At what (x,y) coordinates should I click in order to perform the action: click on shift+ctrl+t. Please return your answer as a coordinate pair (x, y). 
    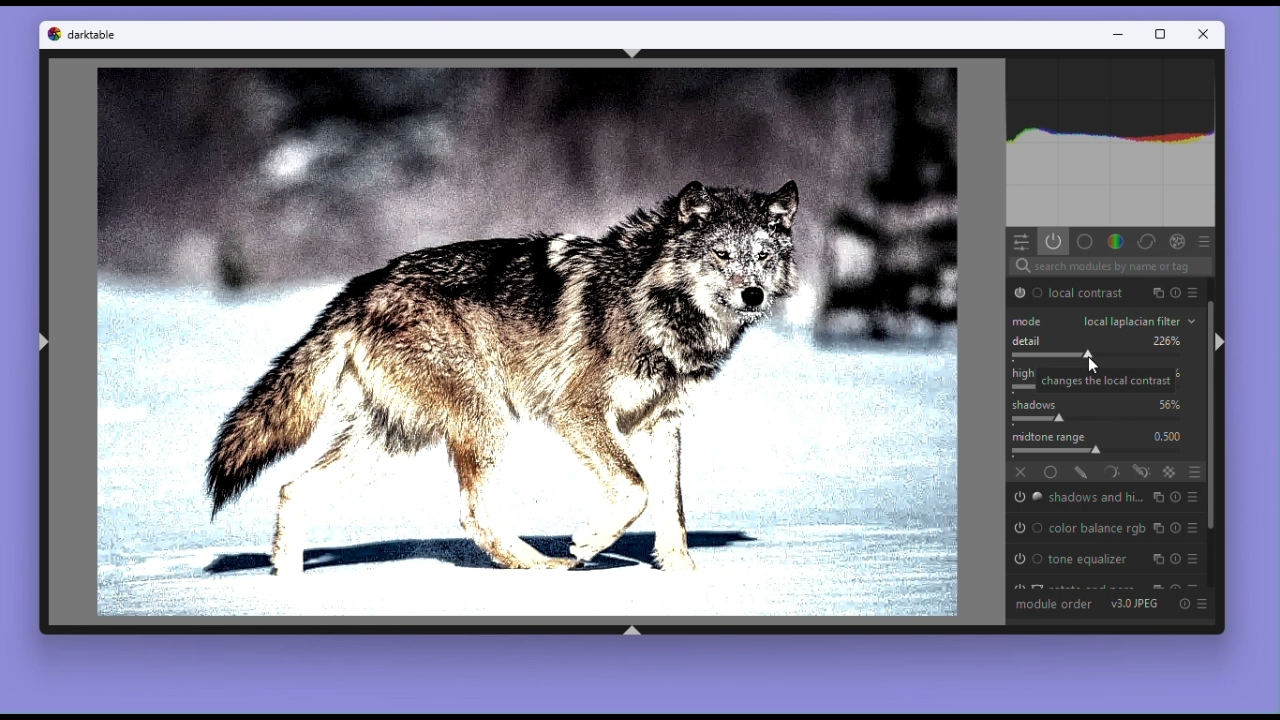
    Looking at the image, I should click on (635, 52).